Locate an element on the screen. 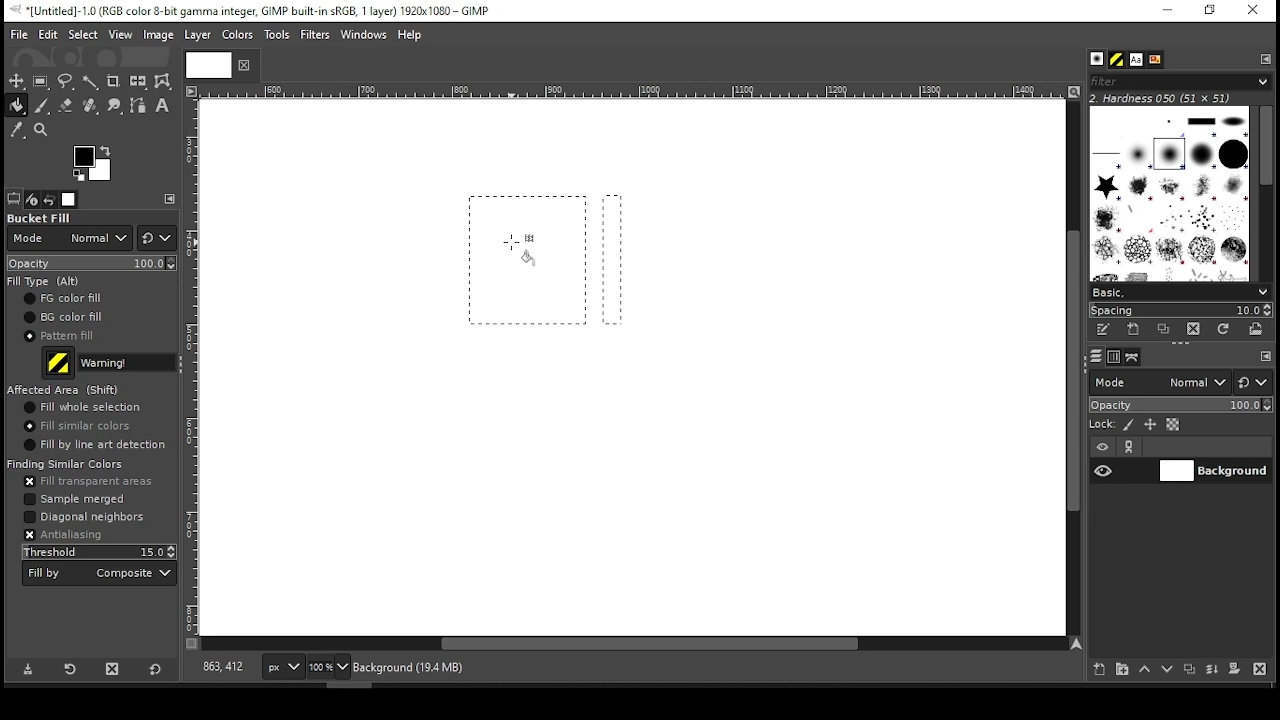 This screenshot has width=1280, height=720. layer visibility on/off is located at coordinates (1104, 470).